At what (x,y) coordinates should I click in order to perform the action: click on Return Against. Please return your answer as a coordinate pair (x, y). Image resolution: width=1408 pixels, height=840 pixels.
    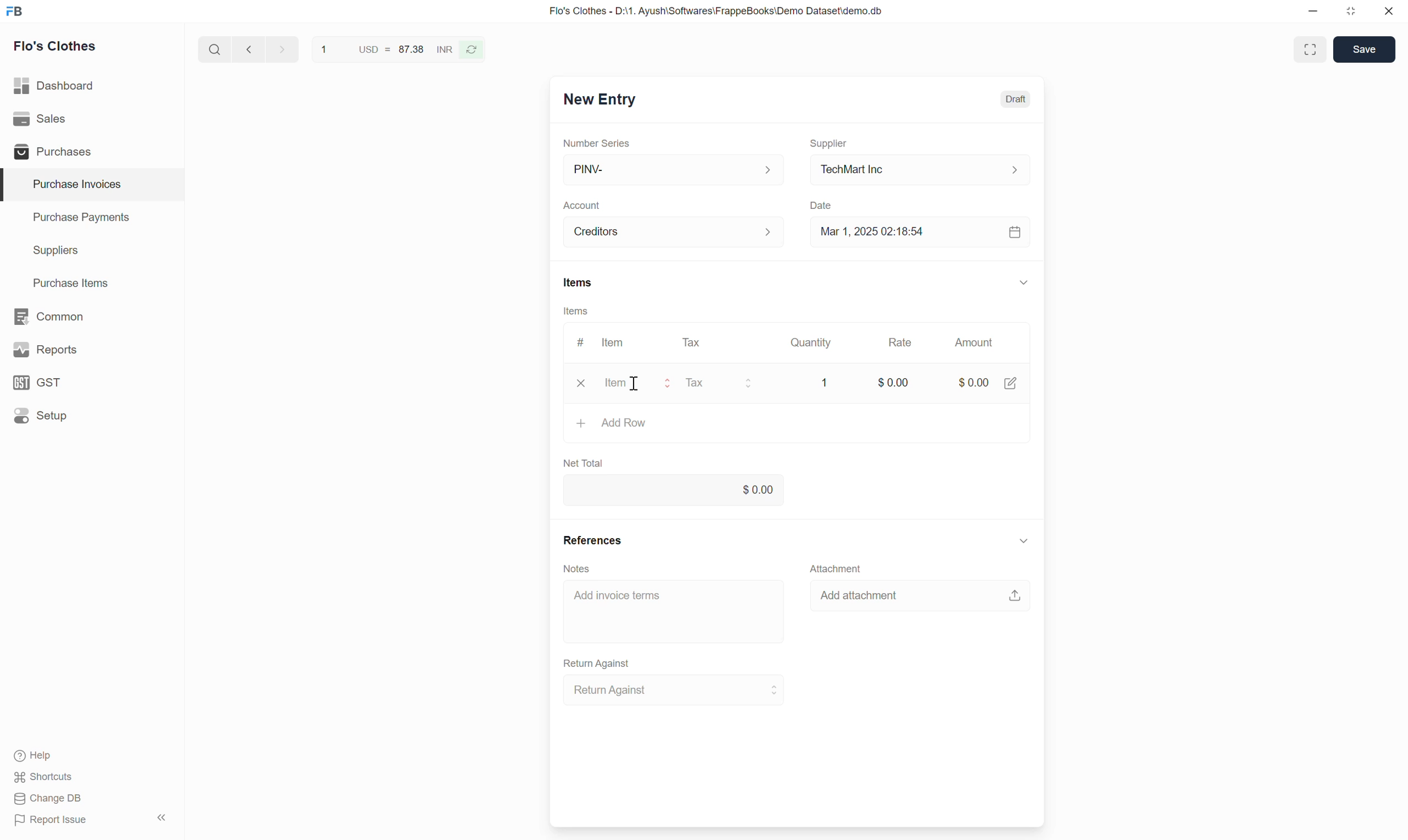
    Looking at the image, I should click on (675, 690).